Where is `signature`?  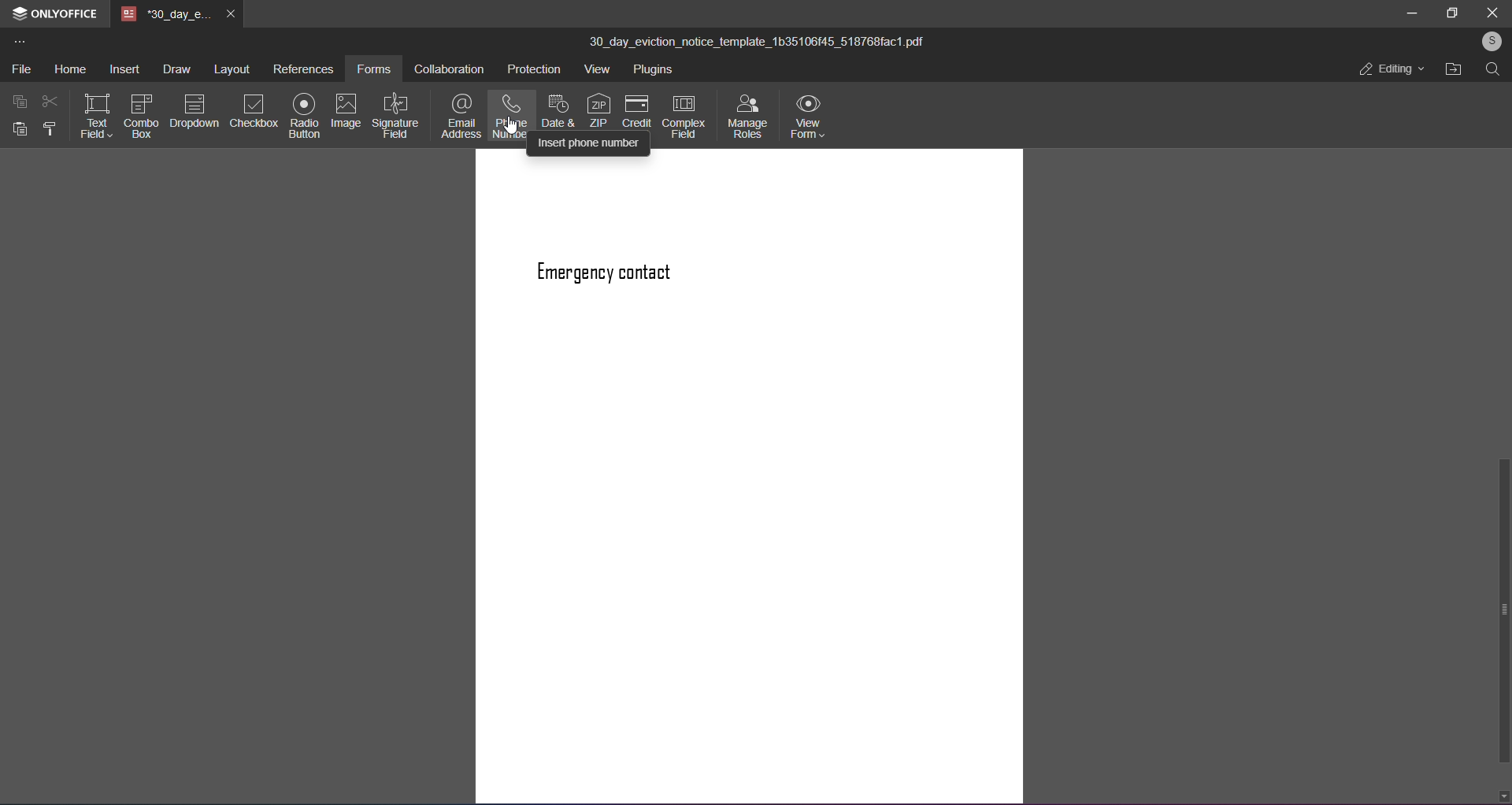 signature is located at coordinates (398, 115).